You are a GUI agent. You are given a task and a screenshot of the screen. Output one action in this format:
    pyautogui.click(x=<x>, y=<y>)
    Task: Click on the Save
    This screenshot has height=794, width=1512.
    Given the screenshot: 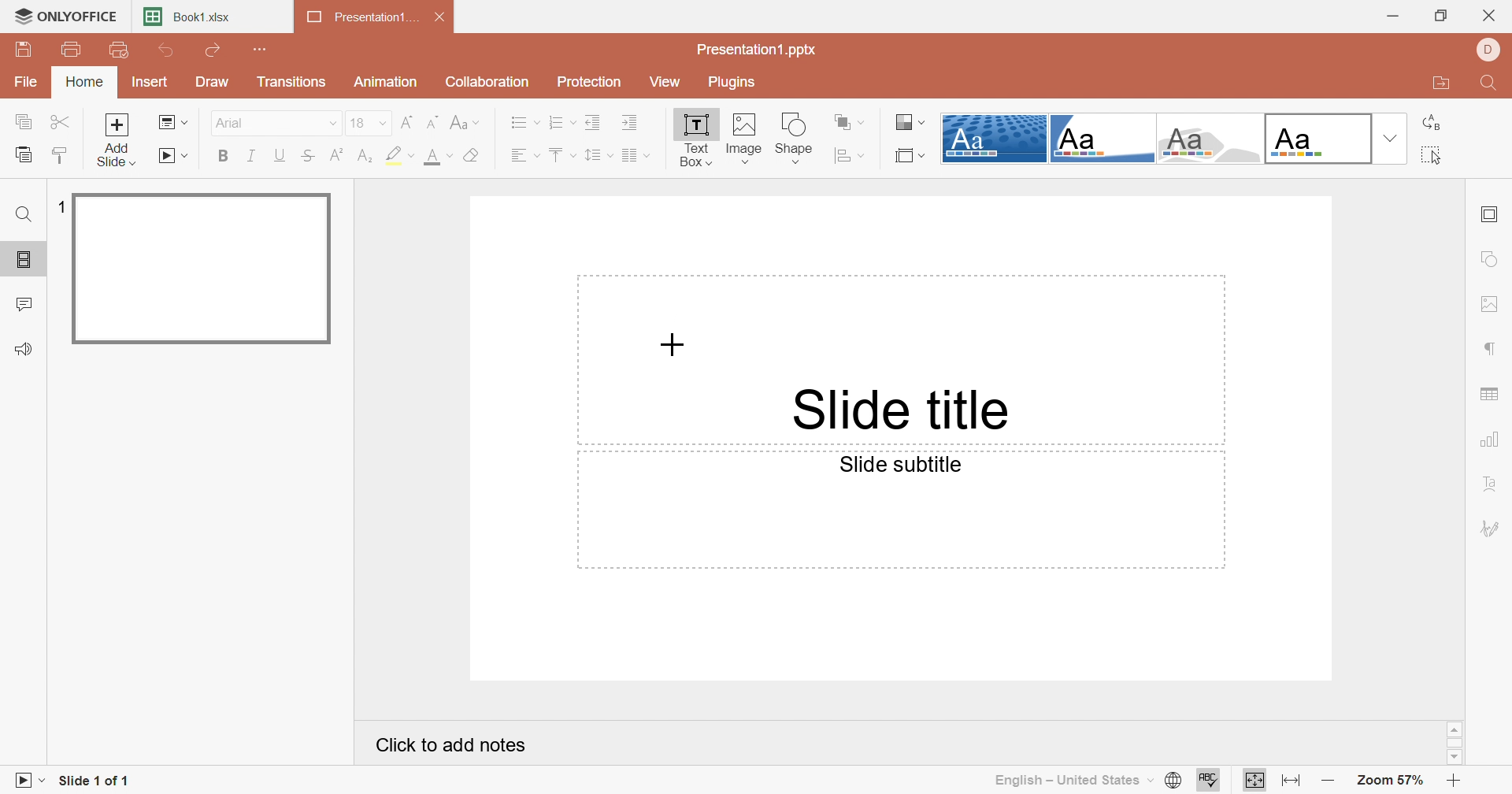 What is the action you would take?
    pyautogui.click(x=22, y=50)
    